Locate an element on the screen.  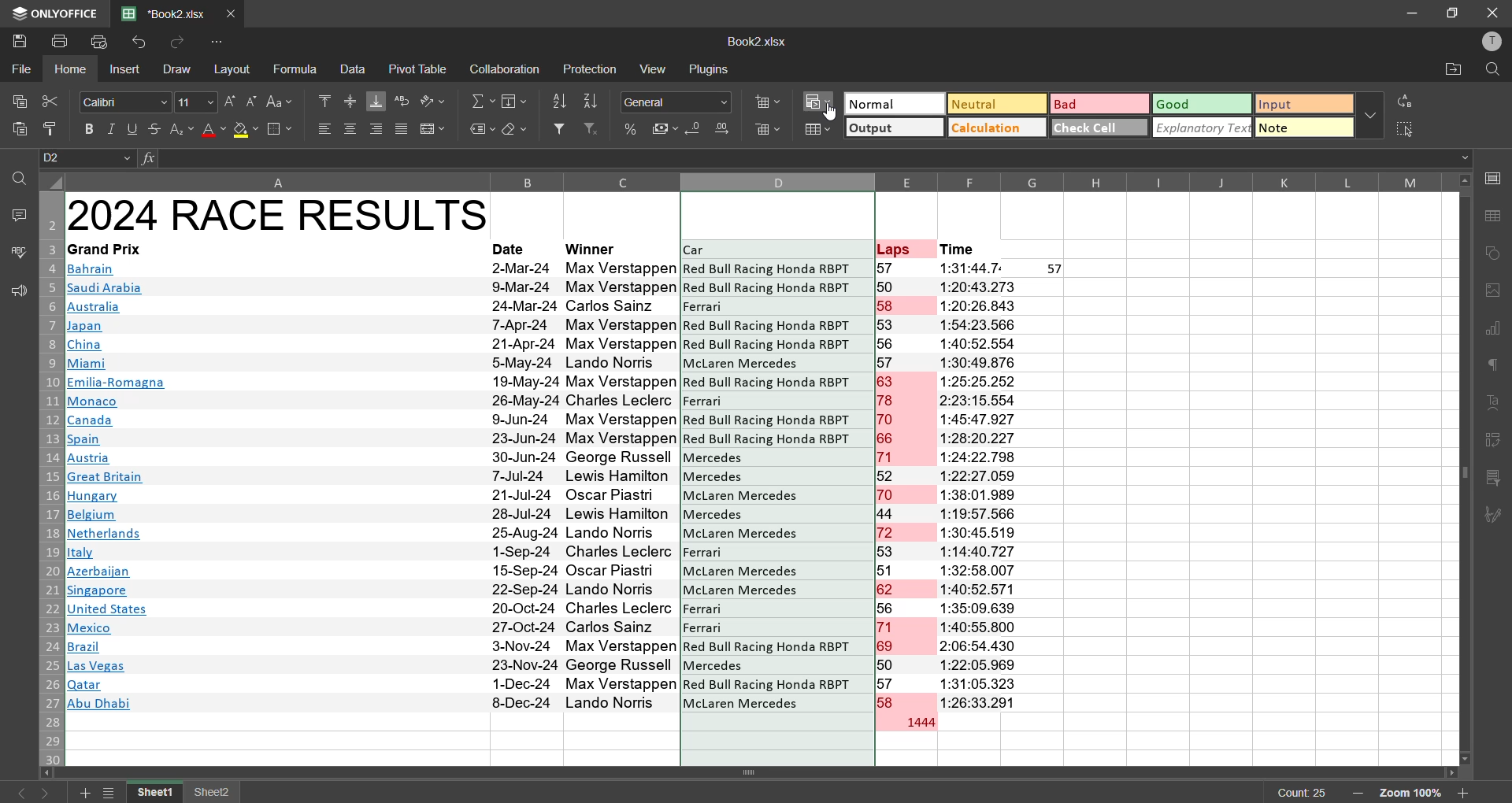
clear filter is located at coordinates (592, 128).